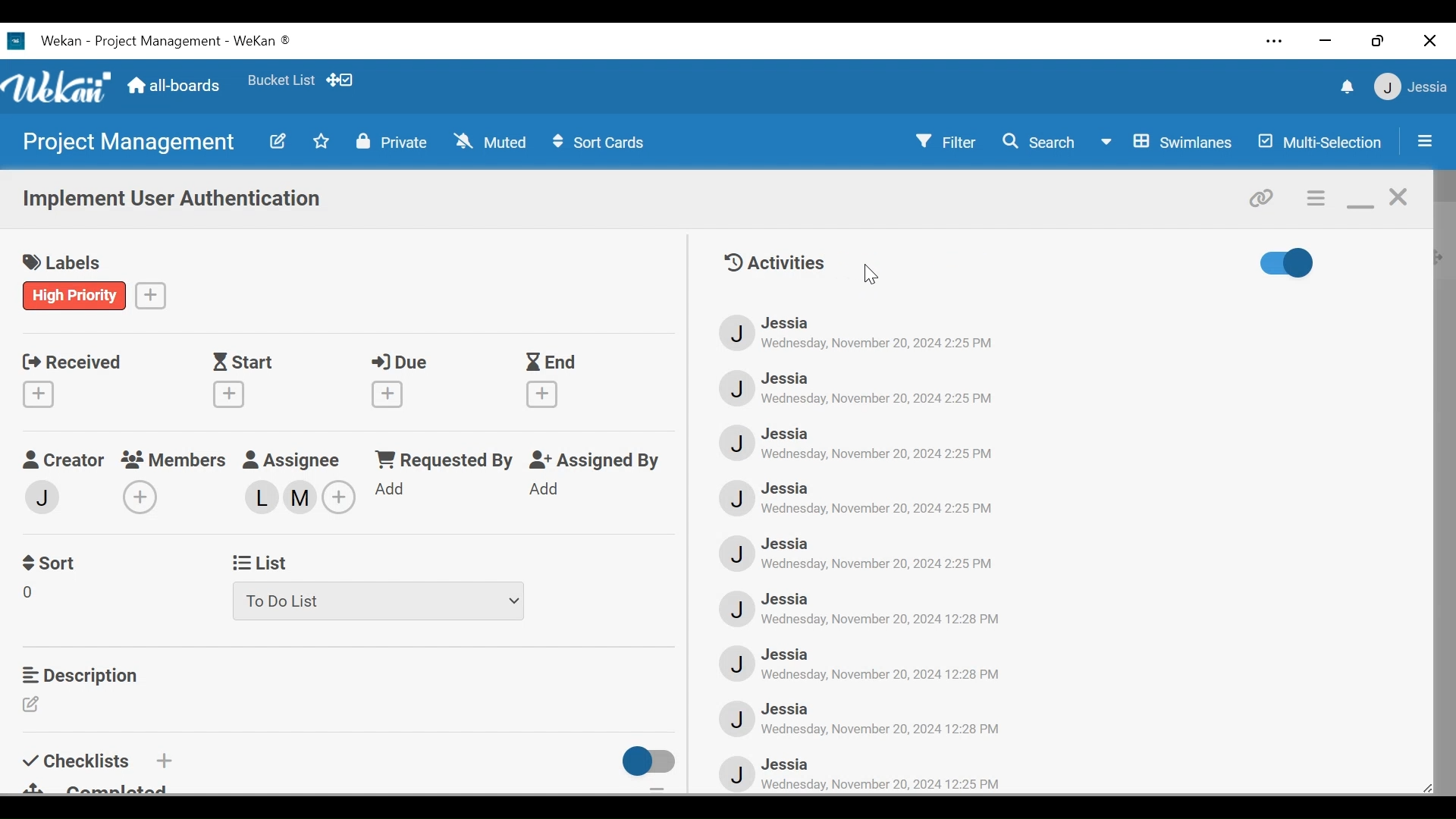 The height and width of the screenshot is (819, 1456). What do you see at coordinates (1326, 40) in the screenshot?
I see `minimize` at bounding box center [1326, 40].